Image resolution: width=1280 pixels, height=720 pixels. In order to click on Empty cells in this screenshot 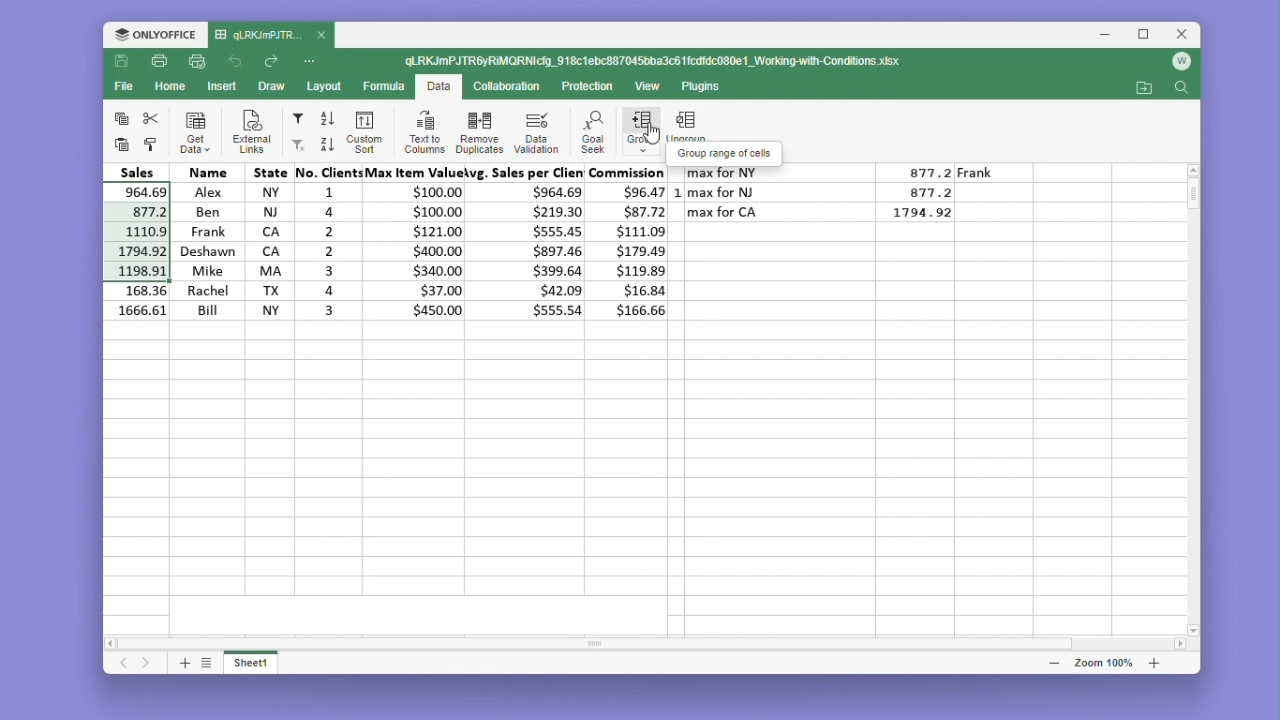, I will do `click(648, 459)`.